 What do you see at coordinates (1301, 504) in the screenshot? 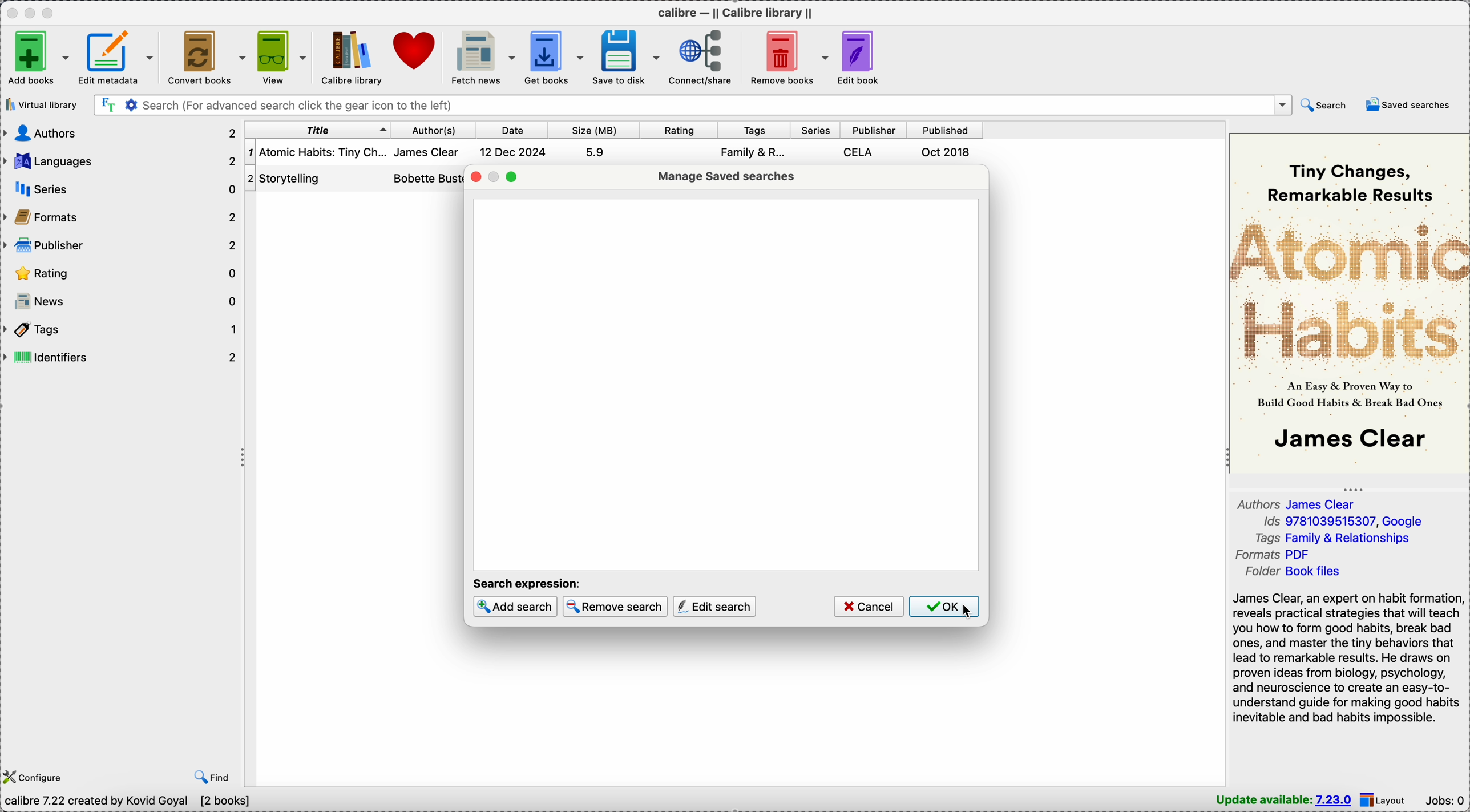
I see `authors: james clear` at bounding box center [1301, 504].